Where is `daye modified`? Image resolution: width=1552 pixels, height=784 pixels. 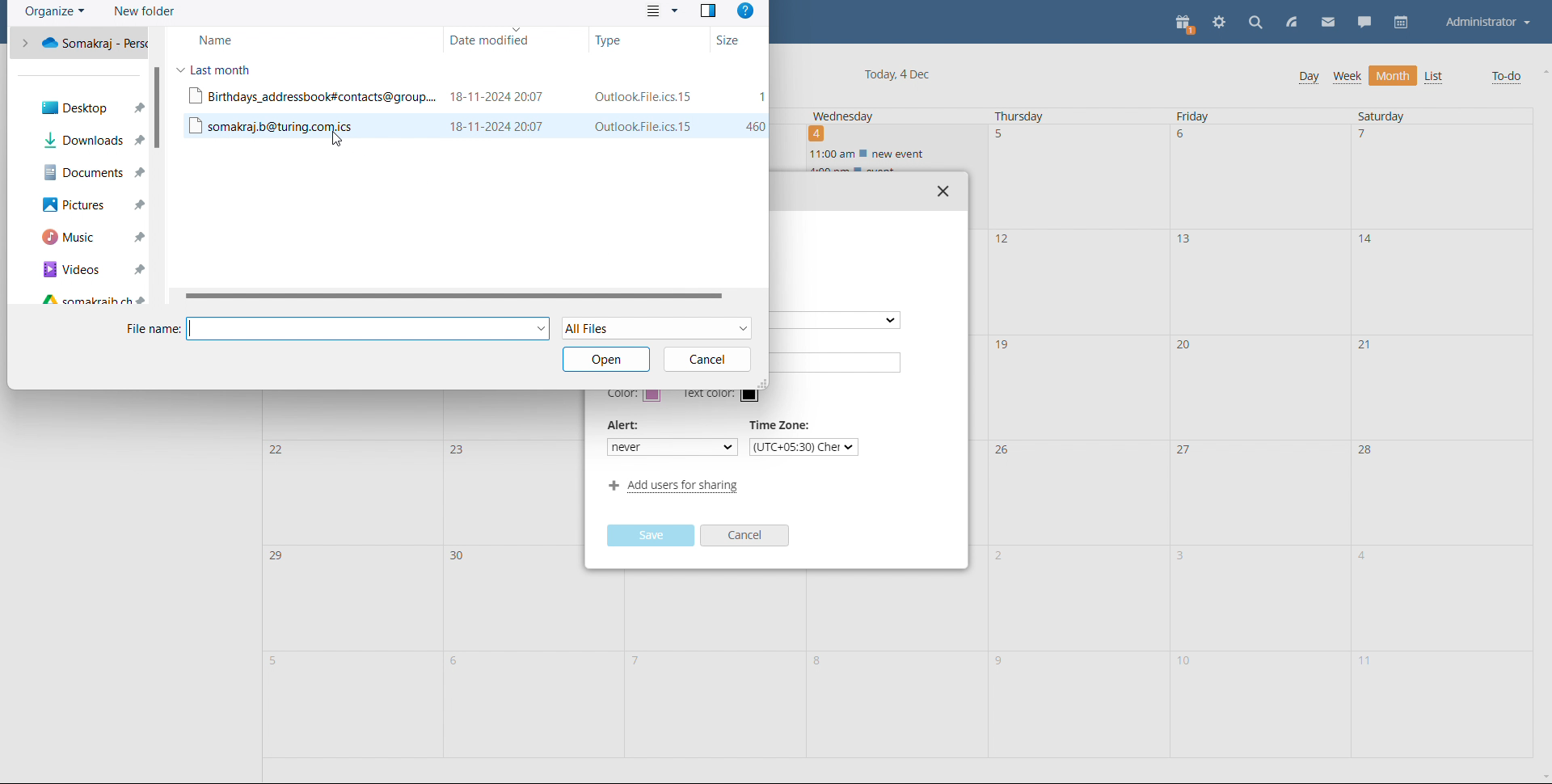 daye modified is located at coordinates (504, 41).